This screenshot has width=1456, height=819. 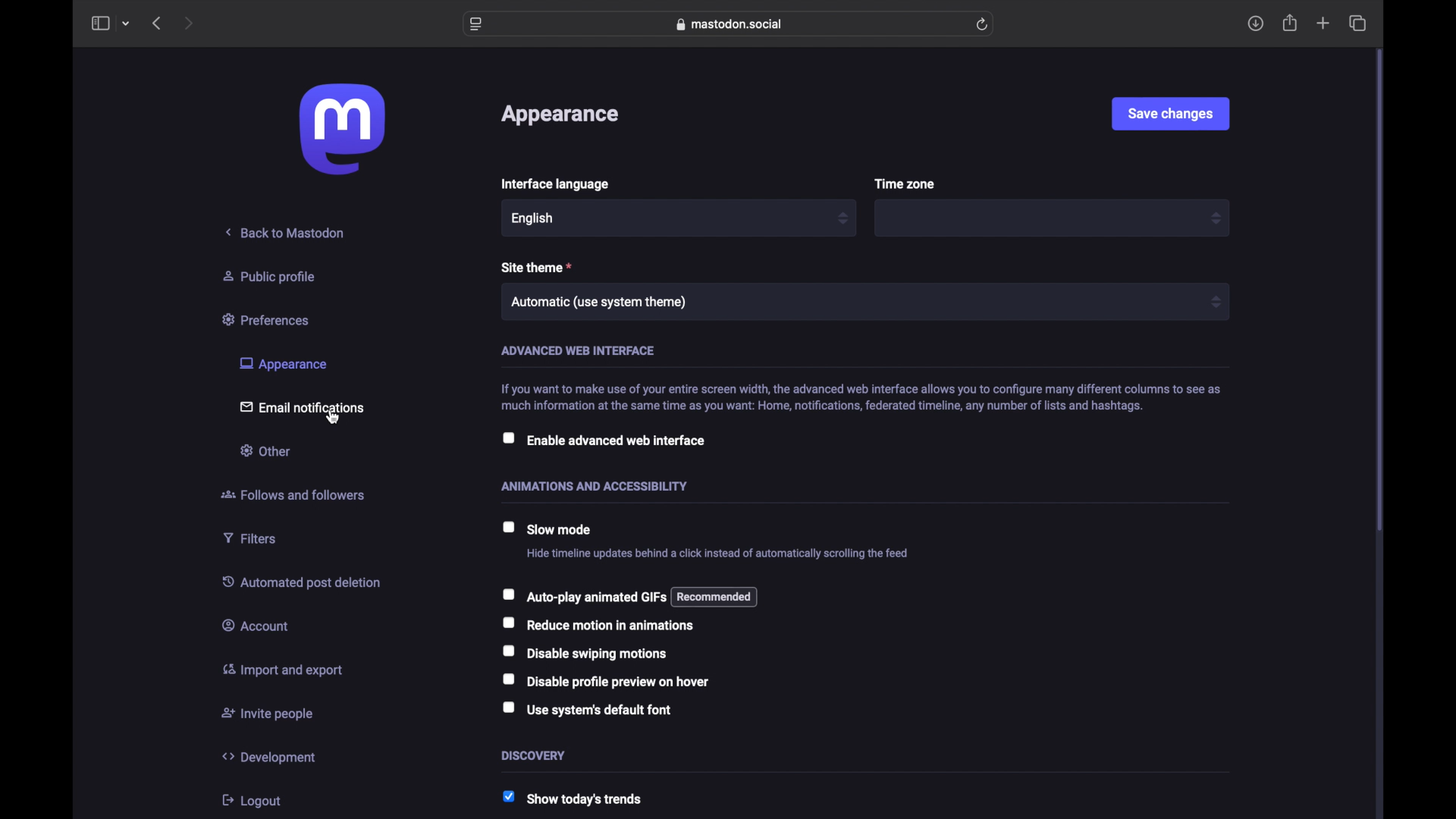 I want to click on appearance, so click(x=282, y=364).